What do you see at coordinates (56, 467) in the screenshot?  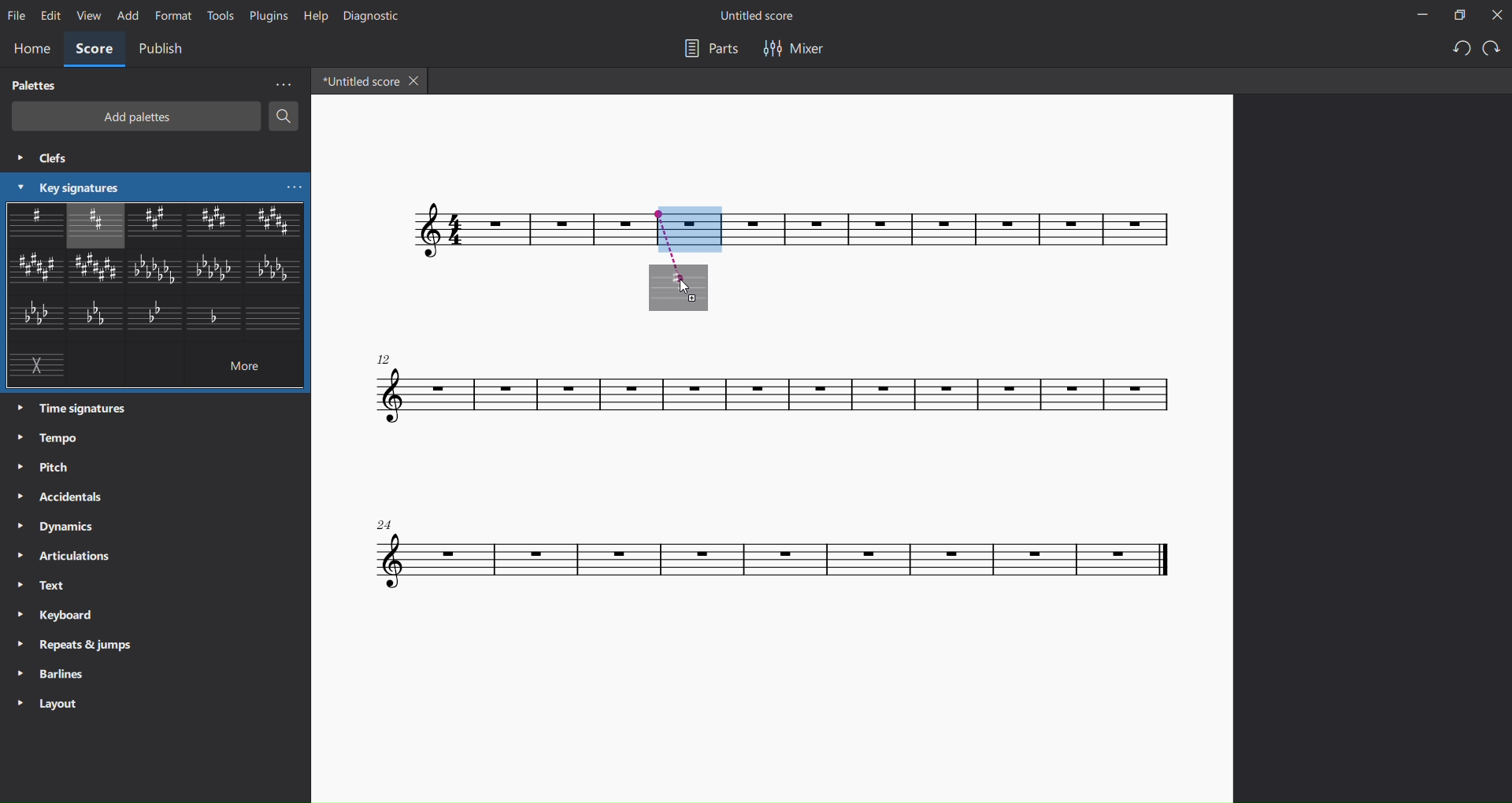 I see `pitch` at bounding box center [56, 467].